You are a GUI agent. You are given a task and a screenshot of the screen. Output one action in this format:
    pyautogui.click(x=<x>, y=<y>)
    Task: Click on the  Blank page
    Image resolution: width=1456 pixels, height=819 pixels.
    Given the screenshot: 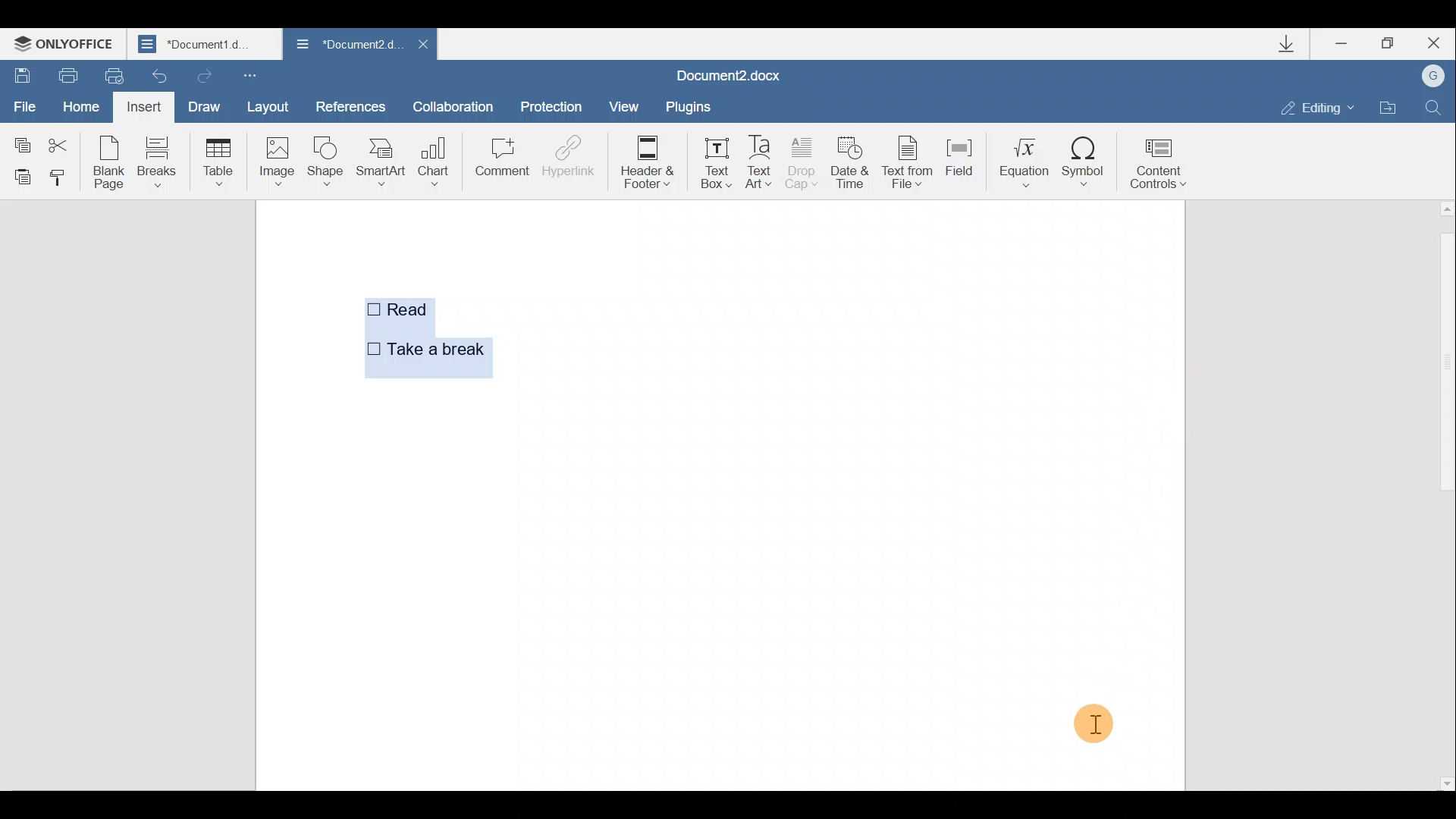 What is the action you would take?
    pyautogui.click(x=109, y=162)
    